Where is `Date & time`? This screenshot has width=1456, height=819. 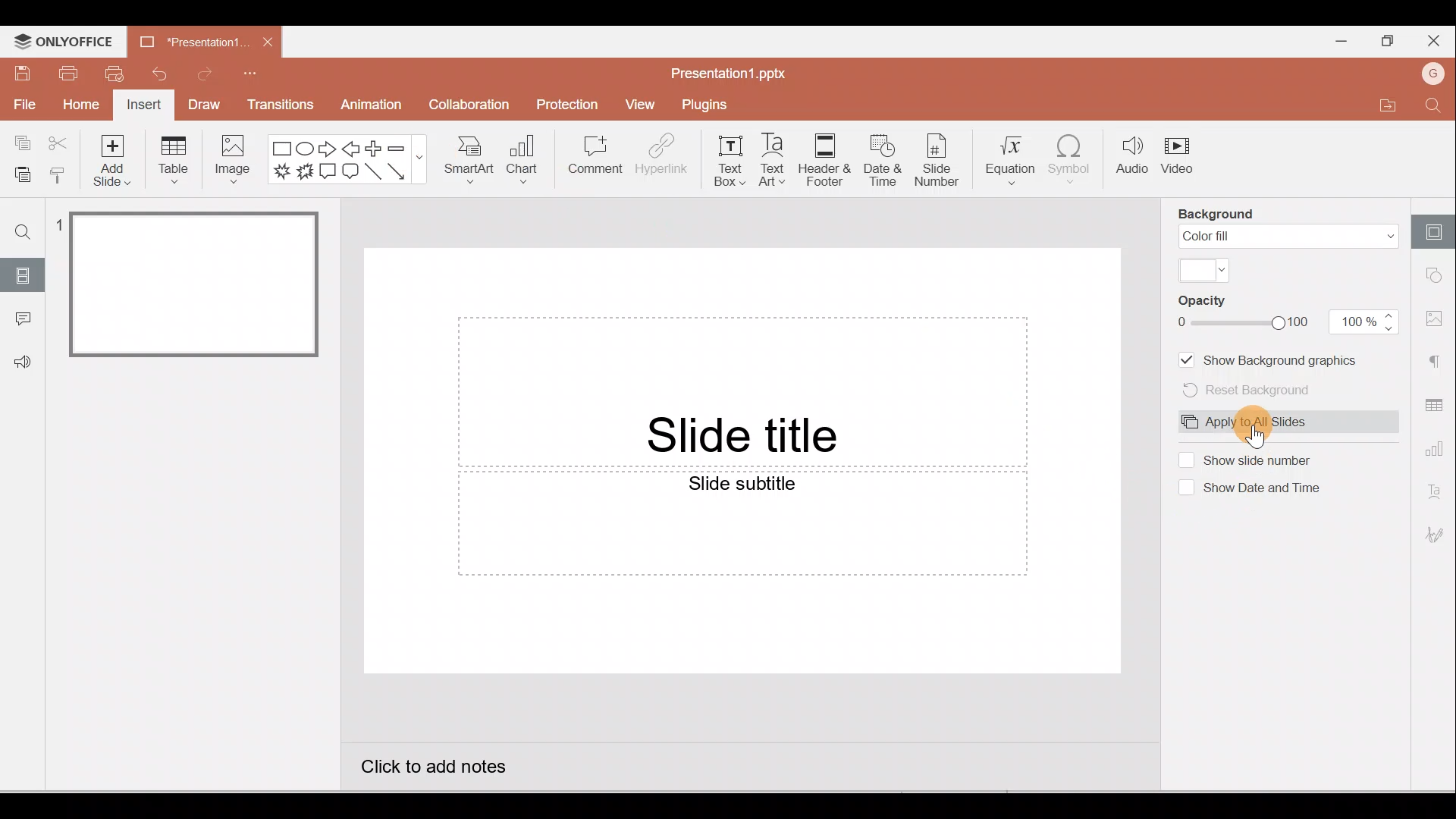
Date & time is located at coordinates (881, 161).